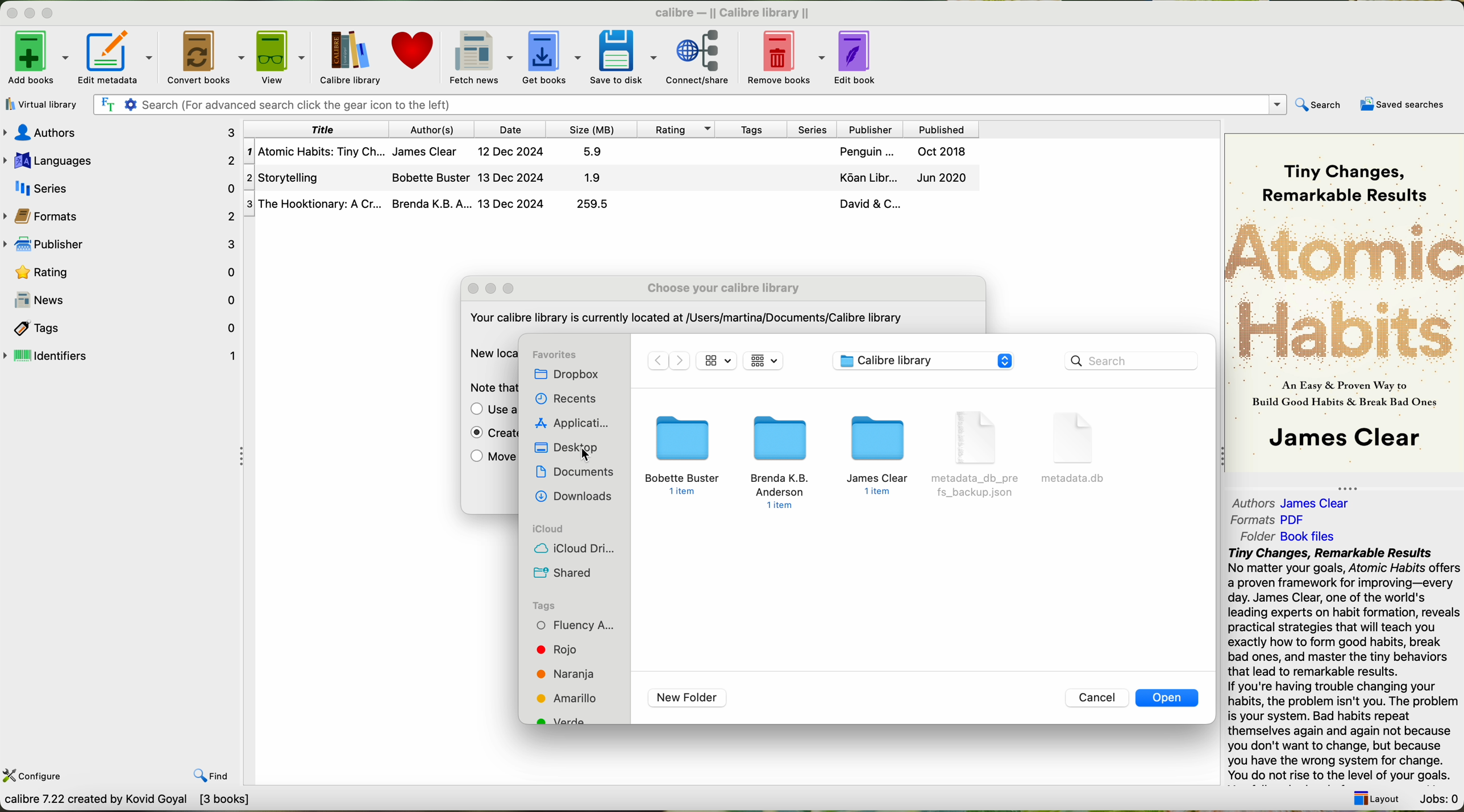 This screenshot has width=1464, height=812. What do you see at coordinates (554, 649) in the screenshot?
I see `red tag` at bounding box center [554, 649].